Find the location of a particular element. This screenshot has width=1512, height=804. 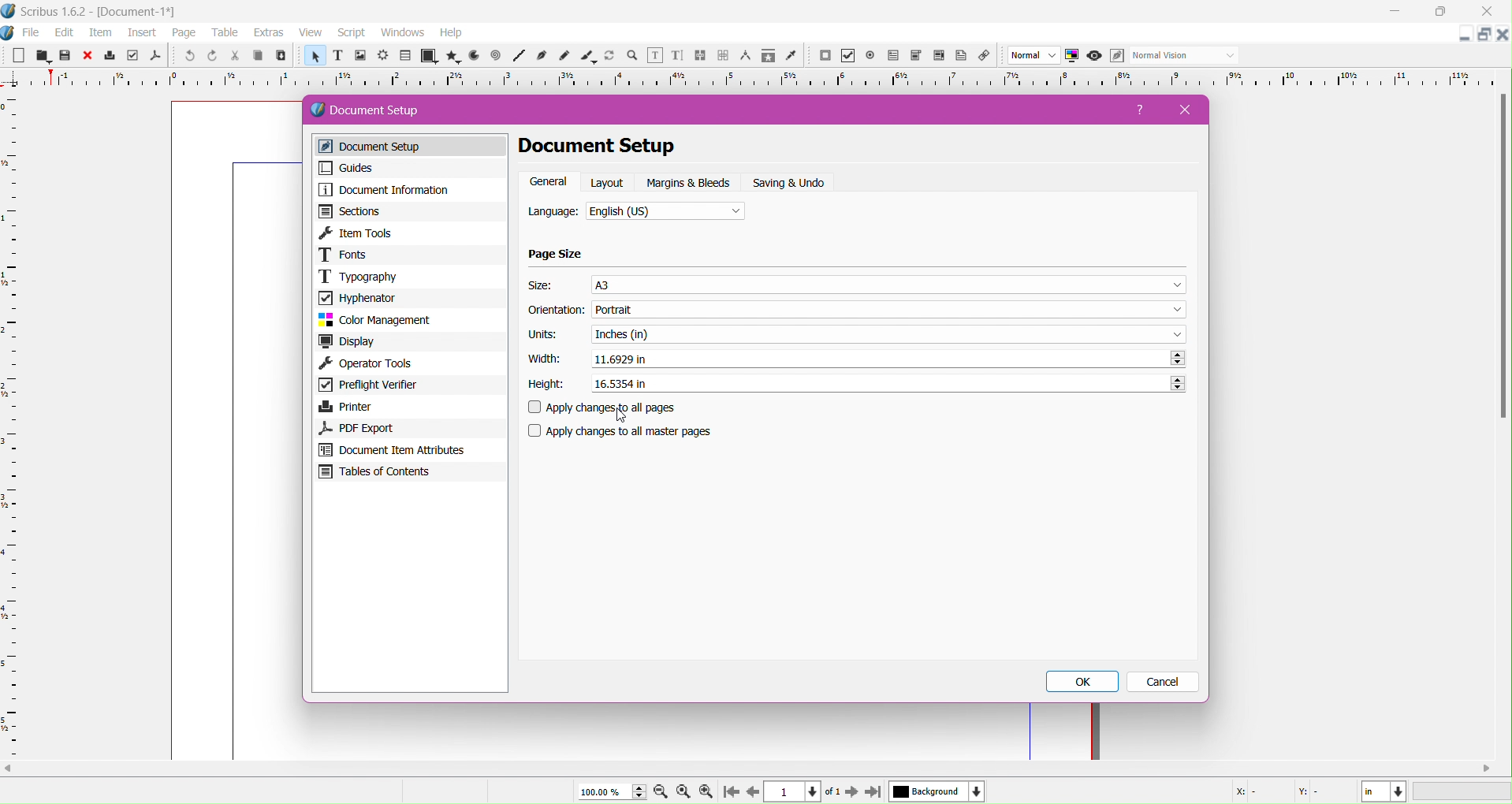

pdf list box is located at coordinates (916, 56).